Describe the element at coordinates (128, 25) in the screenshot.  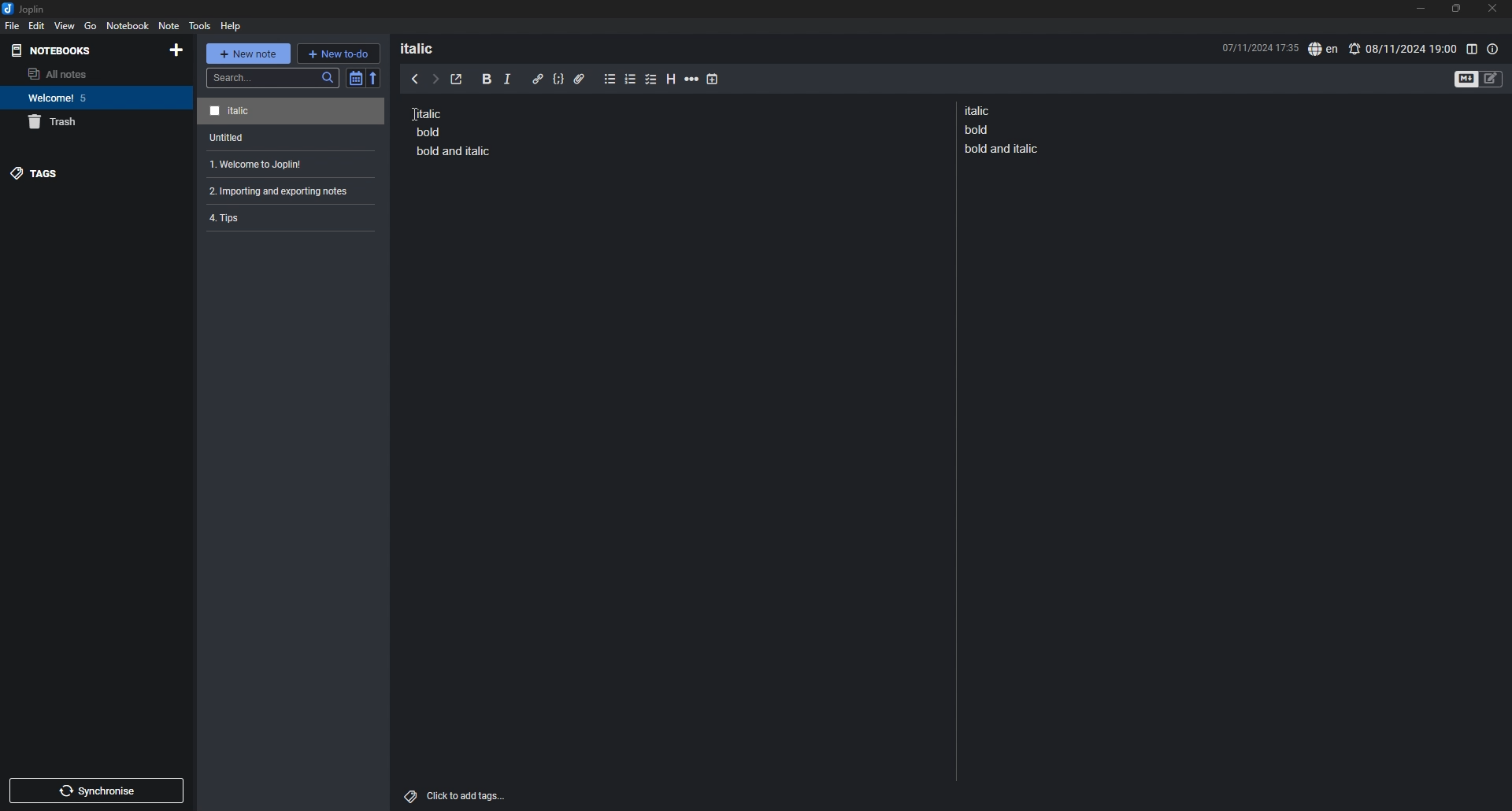
I see `notebook` at that location.